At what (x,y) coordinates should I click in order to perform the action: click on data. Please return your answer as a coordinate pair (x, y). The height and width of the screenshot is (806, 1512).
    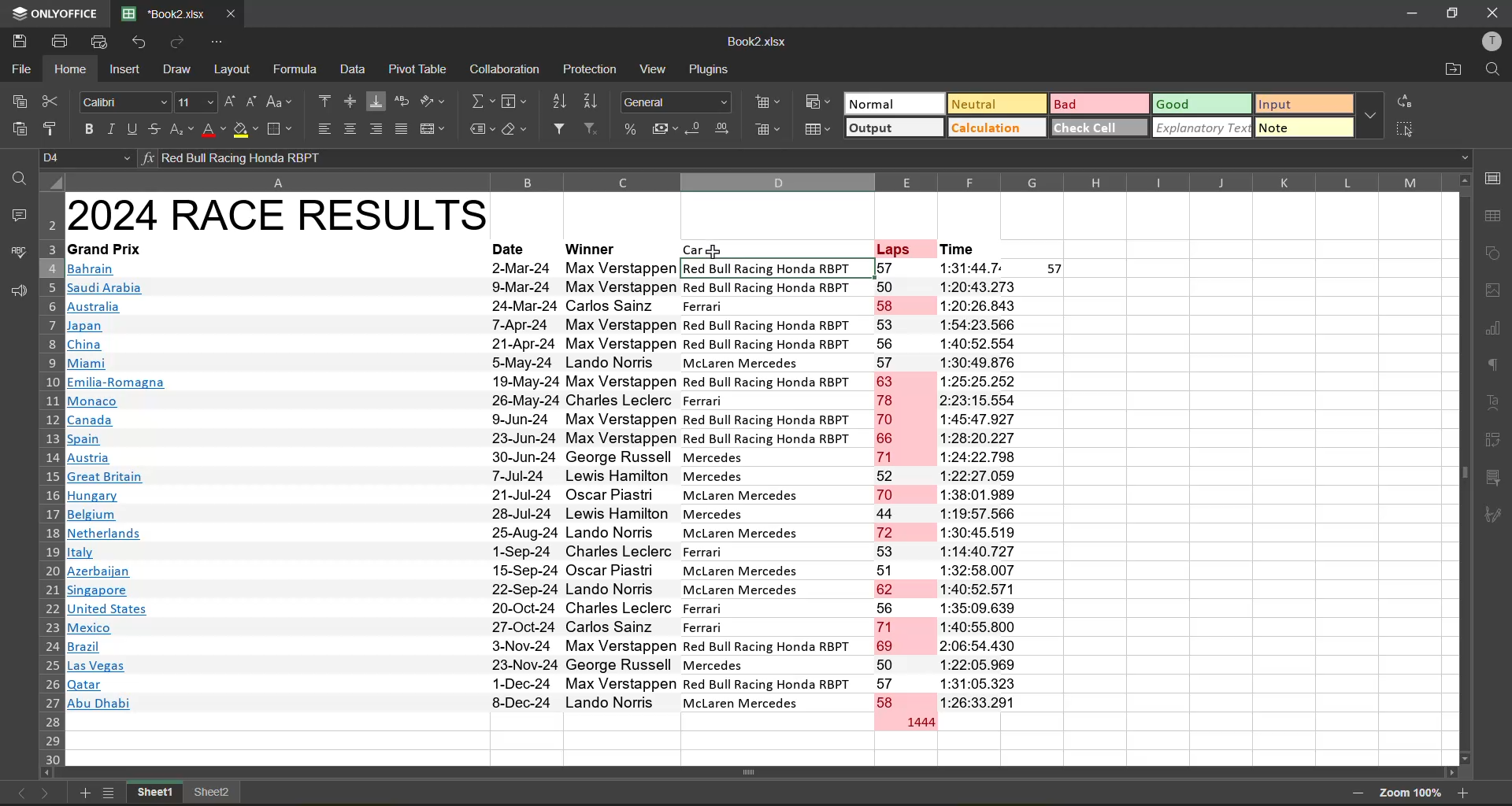
    Looking at the image, I should click on (356, 70).